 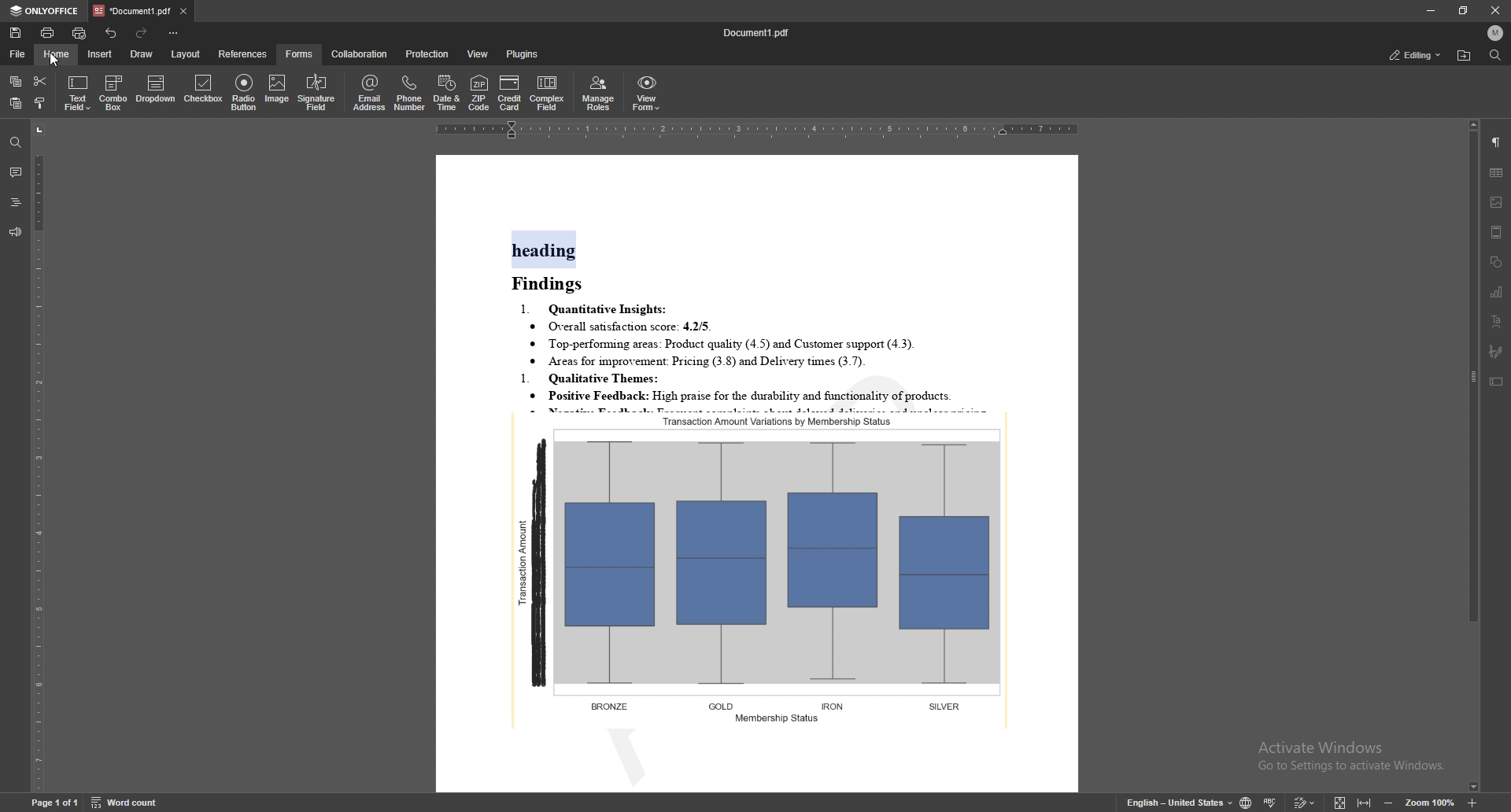 I want to click on complex field, so click(x=549, y=94).